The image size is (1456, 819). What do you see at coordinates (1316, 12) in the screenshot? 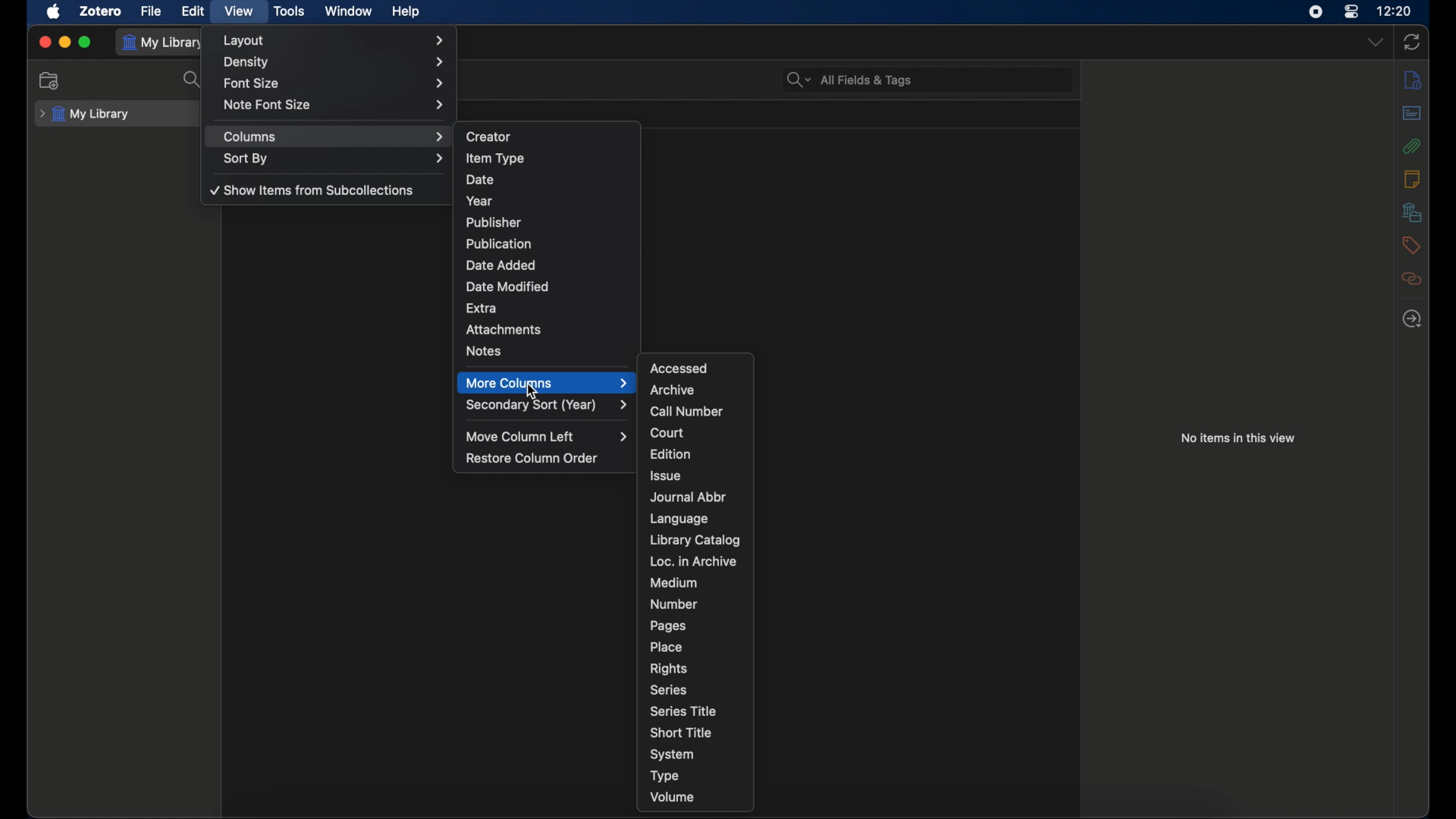
I see `screen recorder` at bounding box center [1316, 12].